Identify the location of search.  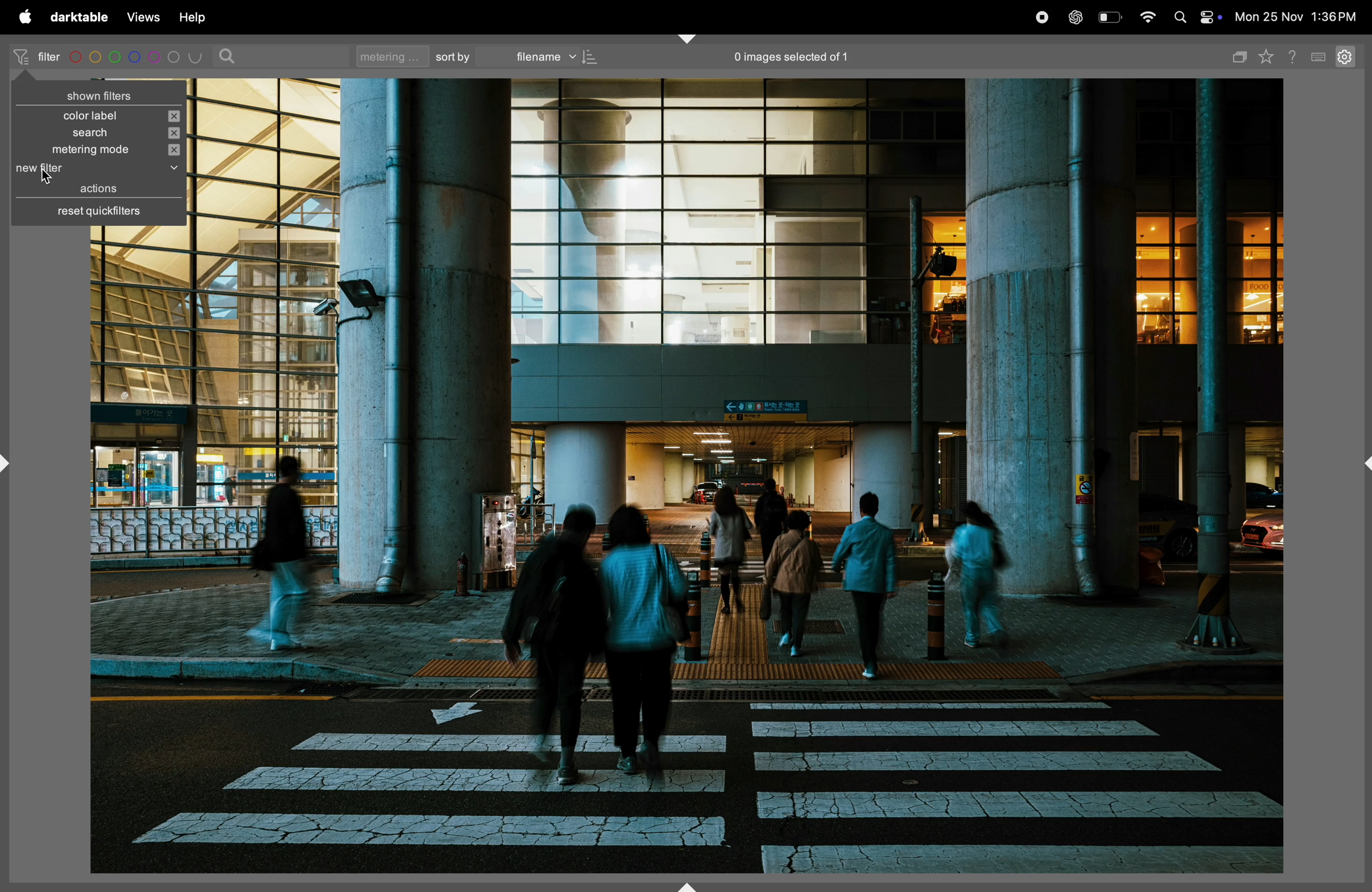
(229, 56).